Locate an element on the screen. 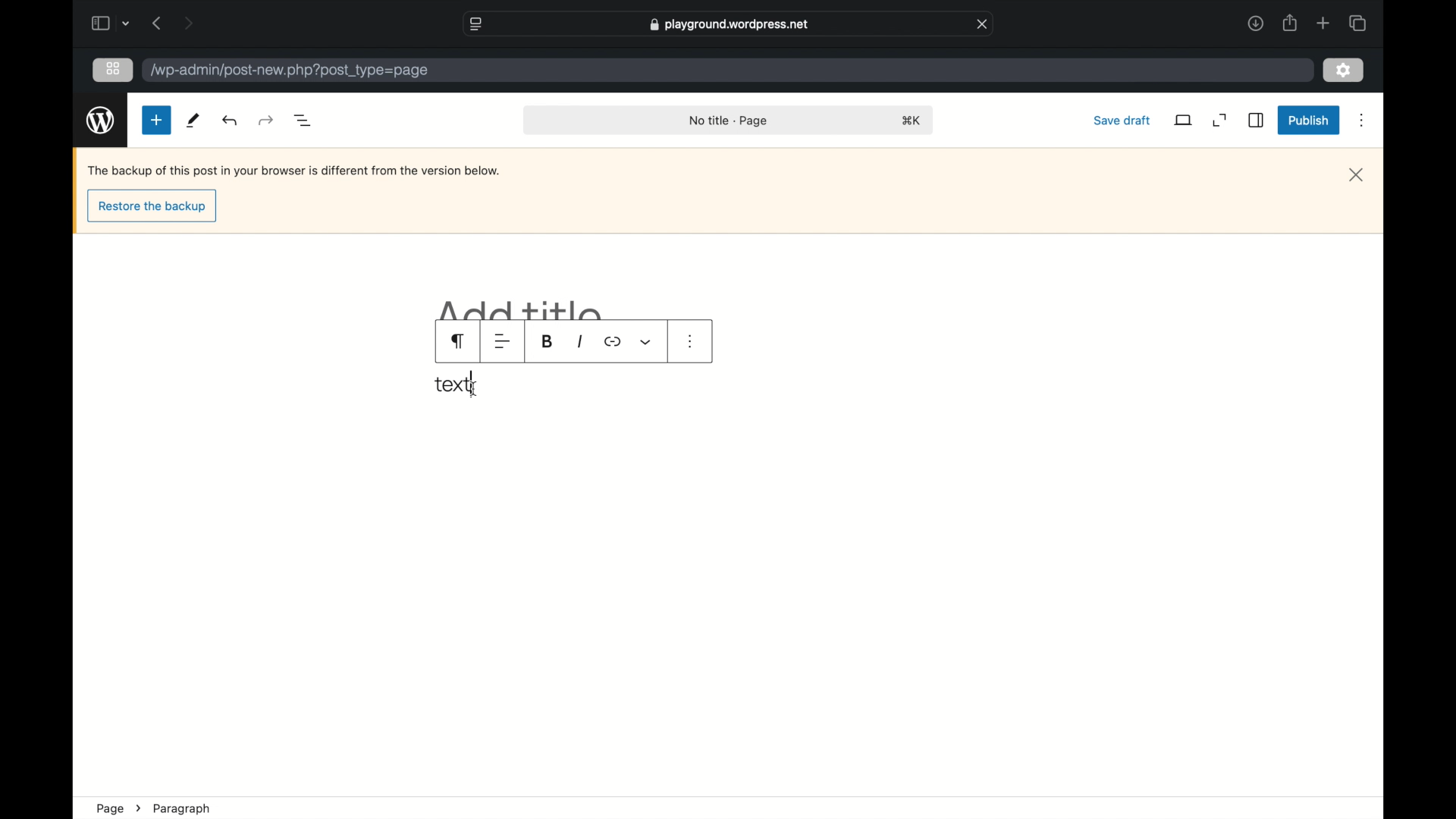 The width and height of the screenshot is (1456, 819). no title page is located at coordinates (730, 120).